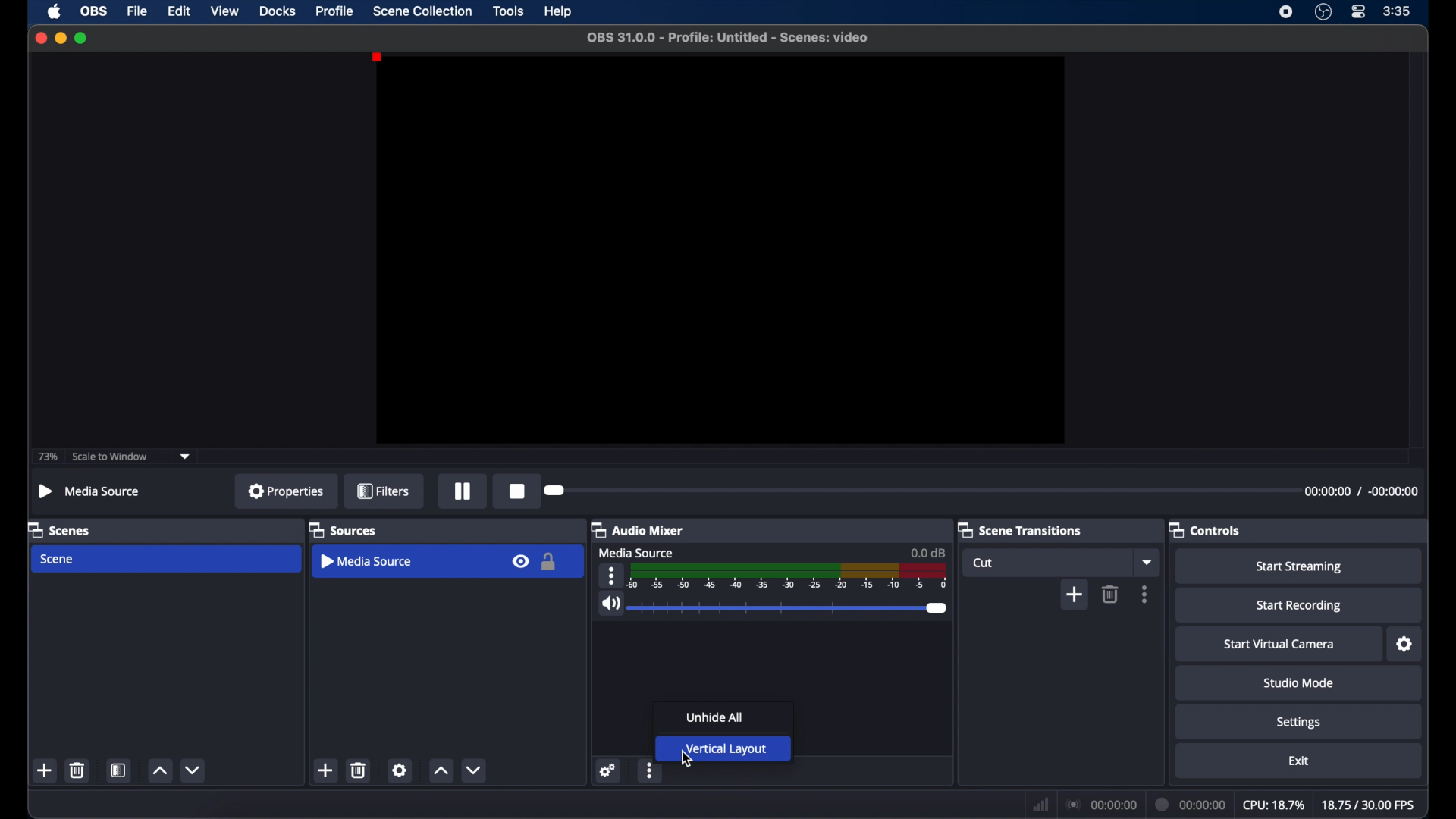 Image resolution: width=1456 pixels, height=819 pixels. I want to click on tools, so click(508, 11).